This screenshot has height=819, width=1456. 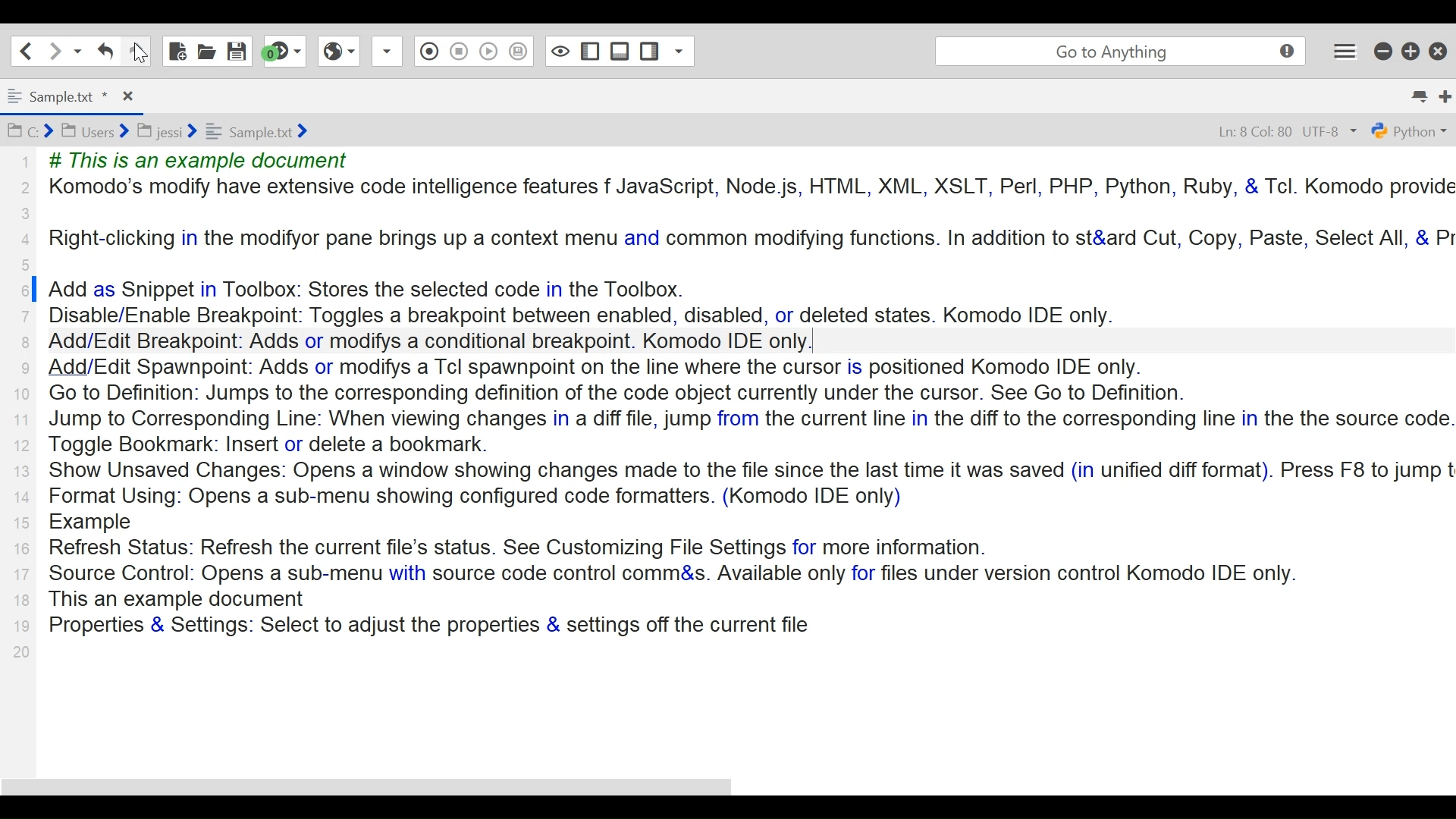 I want to click on File Encoding, so click(x=1332, y=132).